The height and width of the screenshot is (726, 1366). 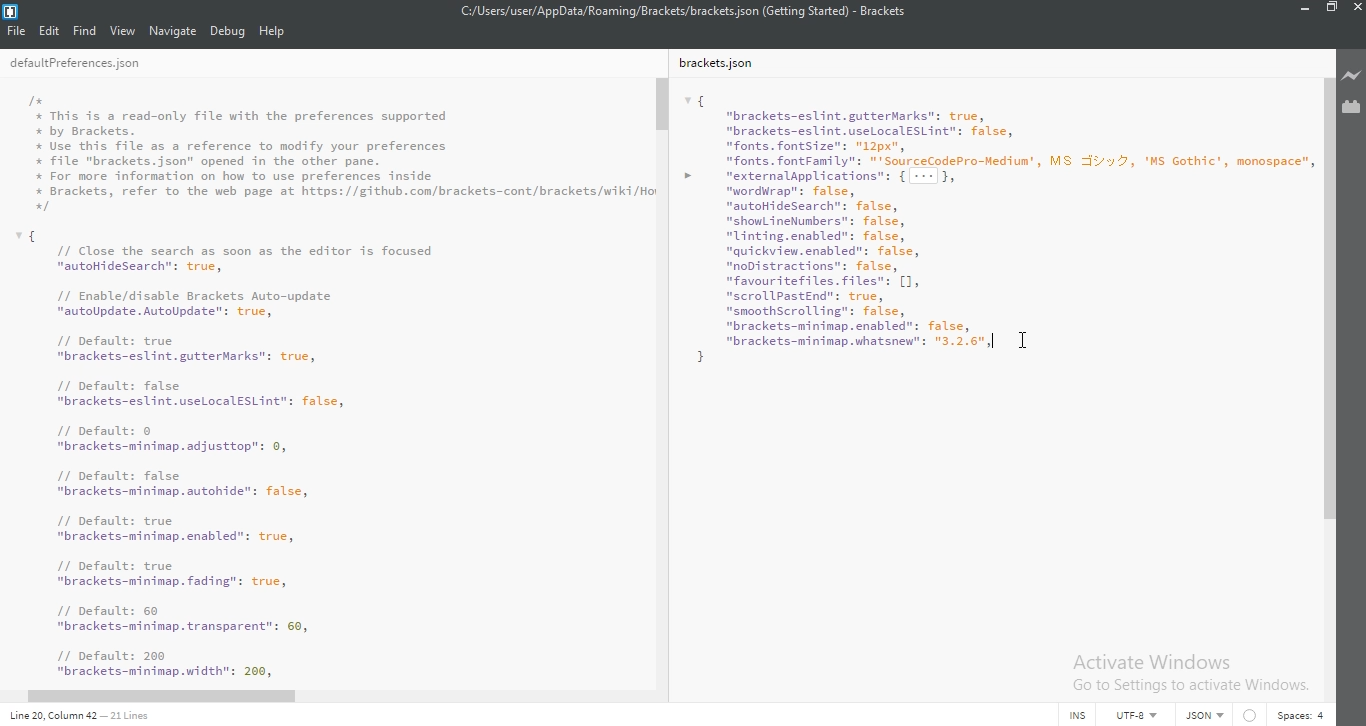 I want to click on Logo, so click(x=13, y=10).